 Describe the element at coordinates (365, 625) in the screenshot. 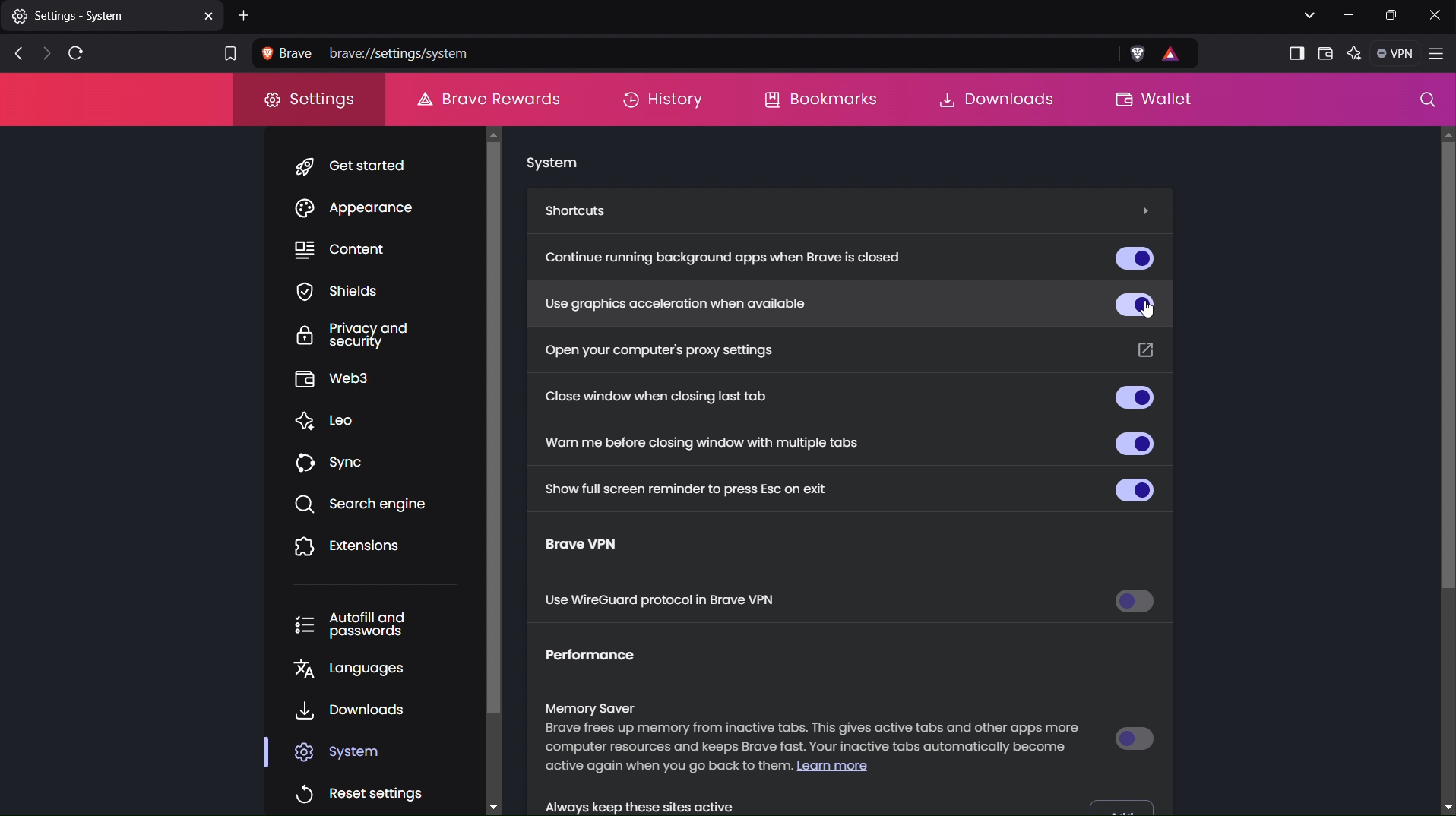

I see `Autofill` at that location.